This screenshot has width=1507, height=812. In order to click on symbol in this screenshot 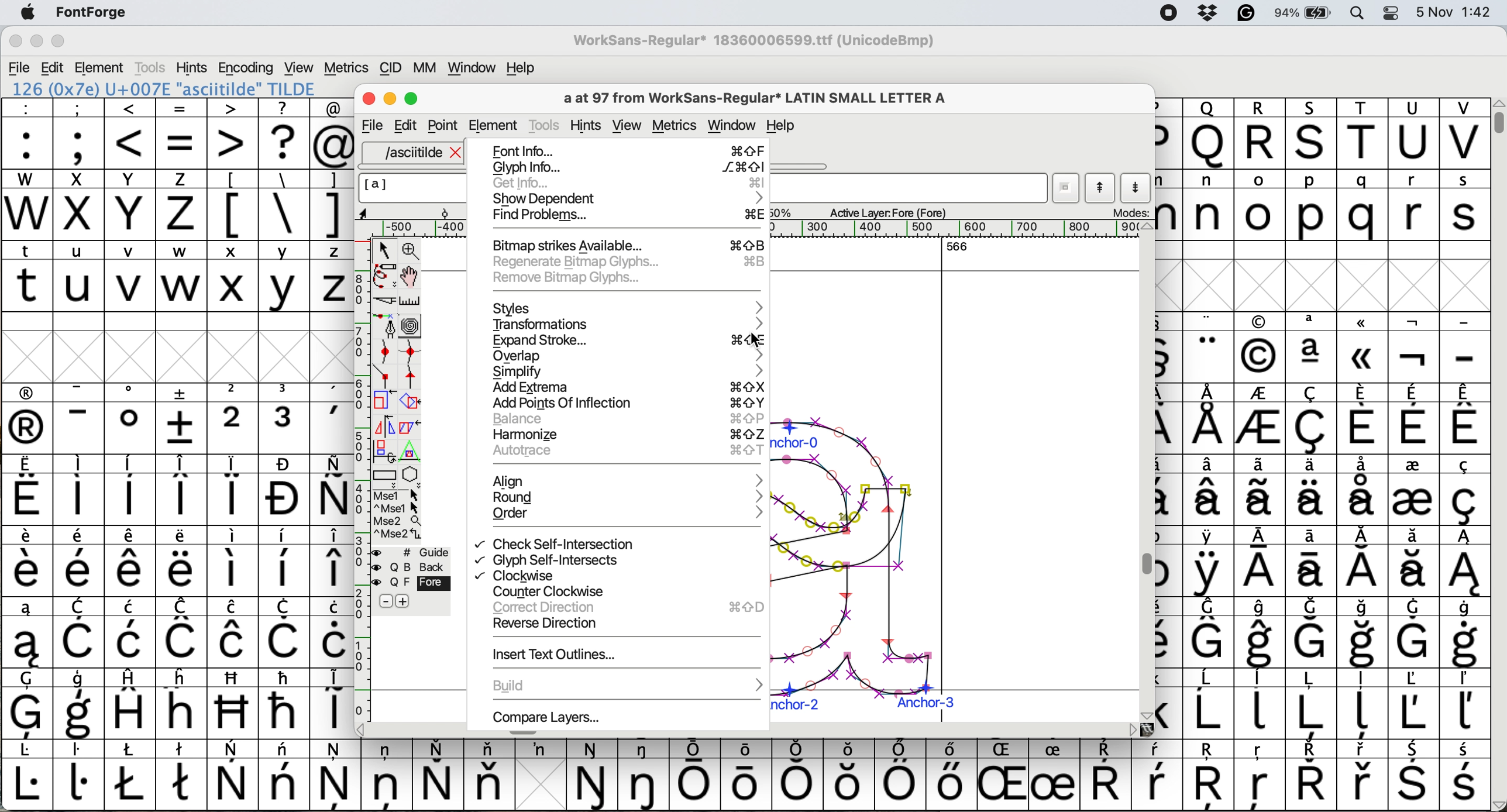, I will do `click(1466, 776)`.